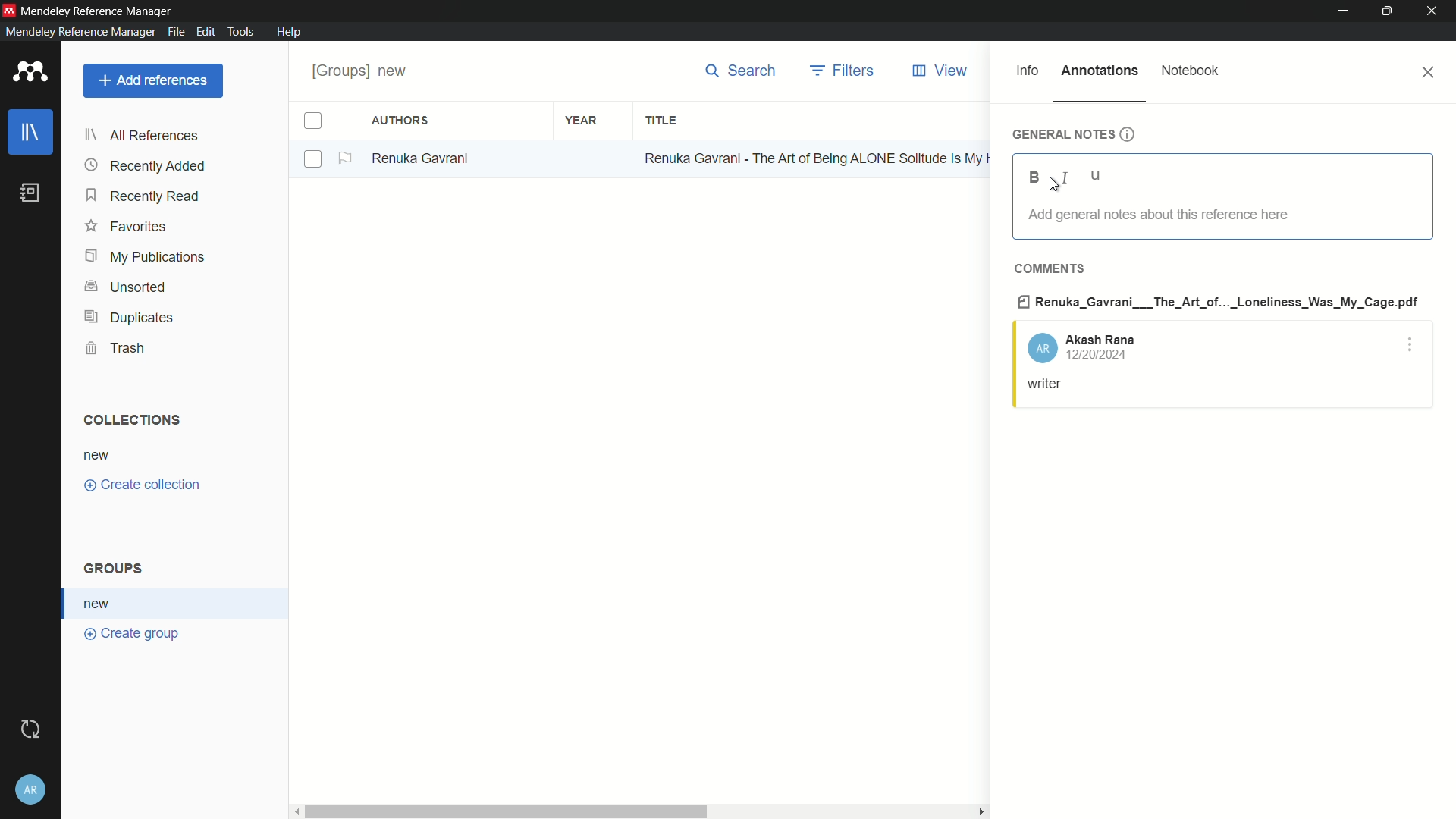 The height and width of the screenshot is (819, 1456). What do you see at coordinates (99, 454) in the screenshot?
I see `new` at bounding box center [99, 454].